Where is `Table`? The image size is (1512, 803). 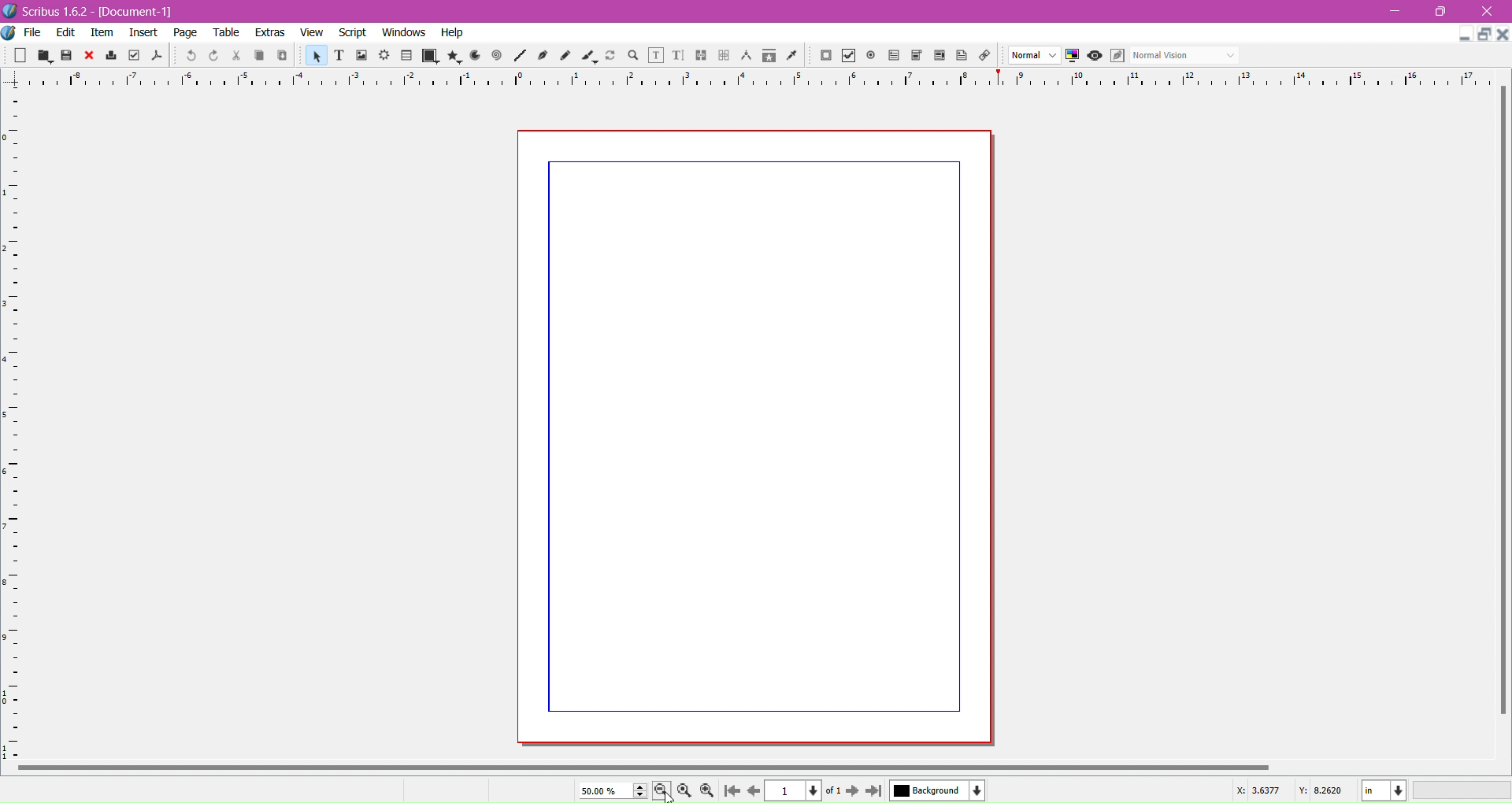 Table is located at coordinates (406, 57).